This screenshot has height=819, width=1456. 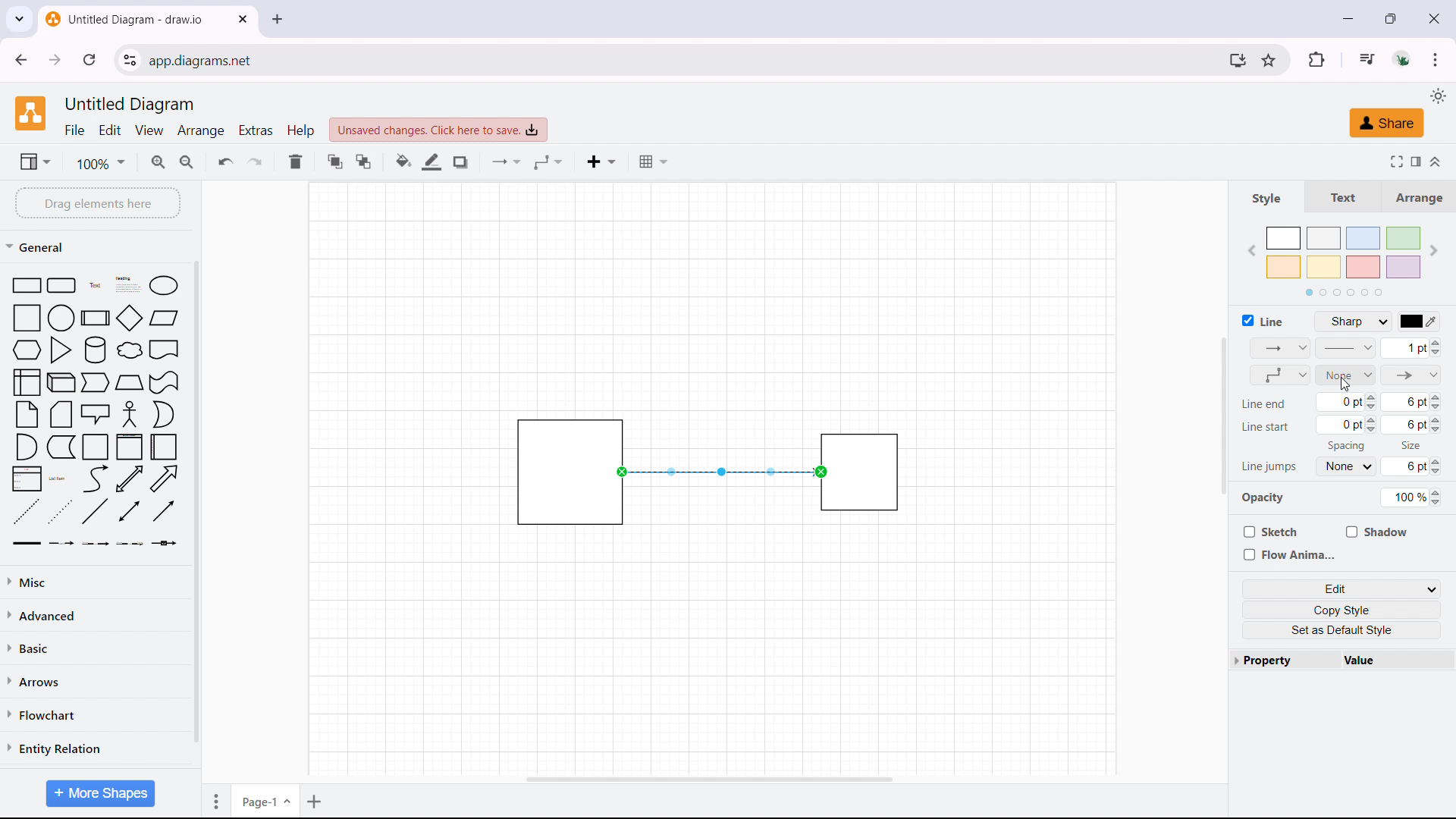 What do you see at coordinates (30, 113) in the screenshot?
I see `logo` at bounding box center [30, 113].